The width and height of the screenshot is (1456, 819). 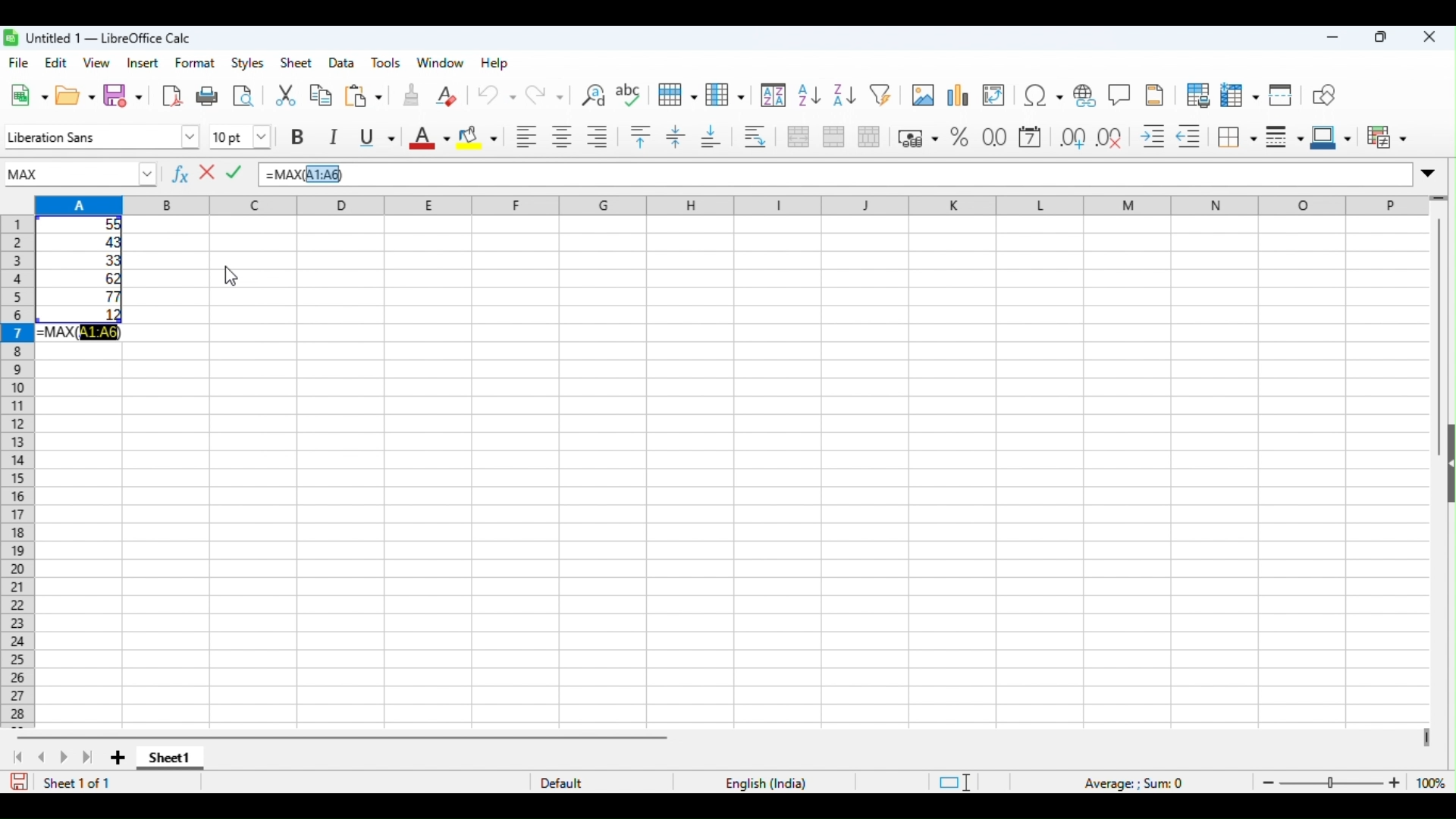 I want to click on style, so click(x=249, y=63).